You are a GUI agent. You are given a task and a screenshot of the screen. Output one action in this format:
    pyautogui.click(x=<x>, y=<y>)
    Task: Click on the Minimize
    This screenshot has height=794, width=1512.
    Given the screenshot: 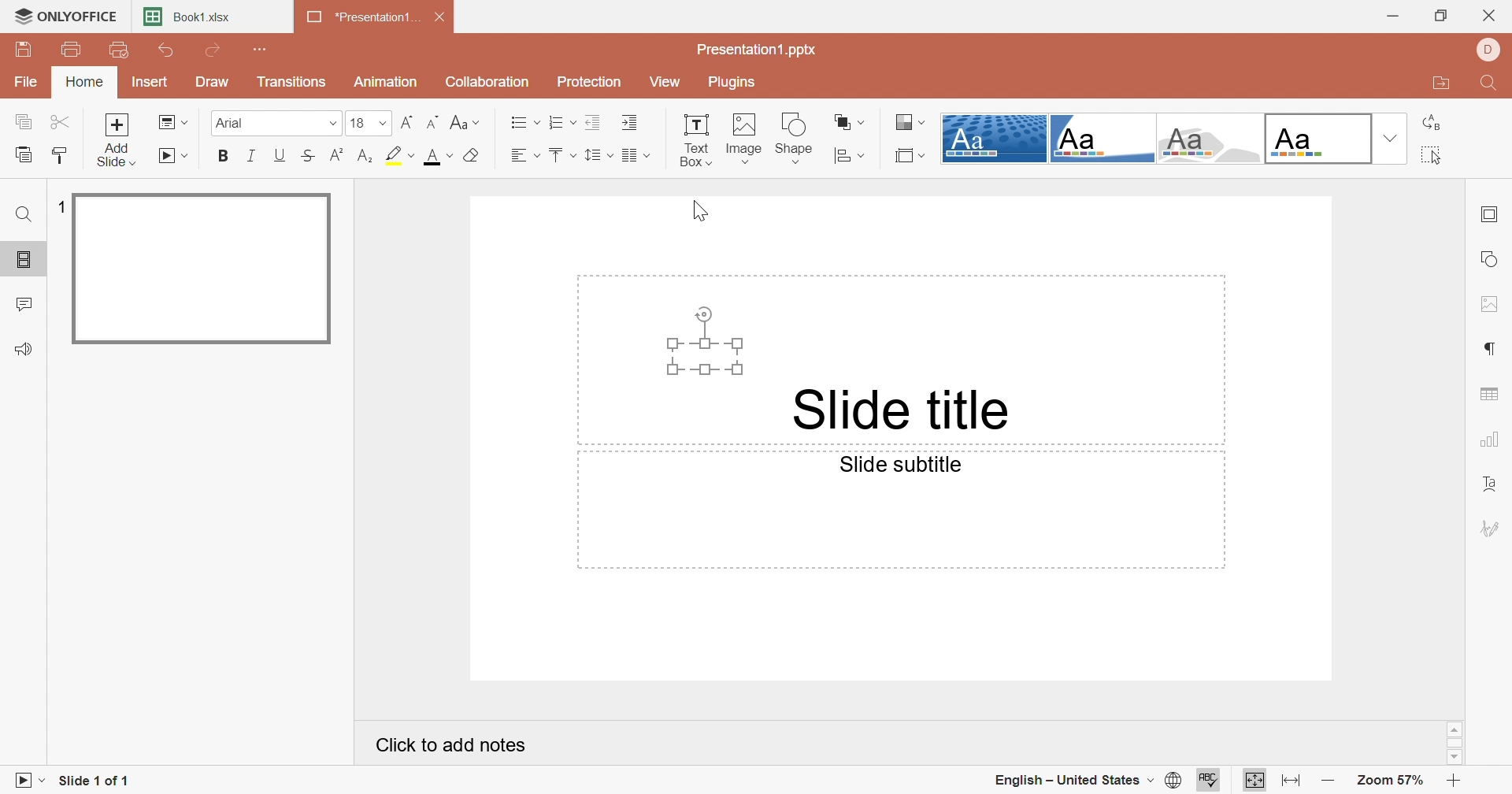 What is the action you would take?
    pyautogui.click(x=1394, y=13)
    